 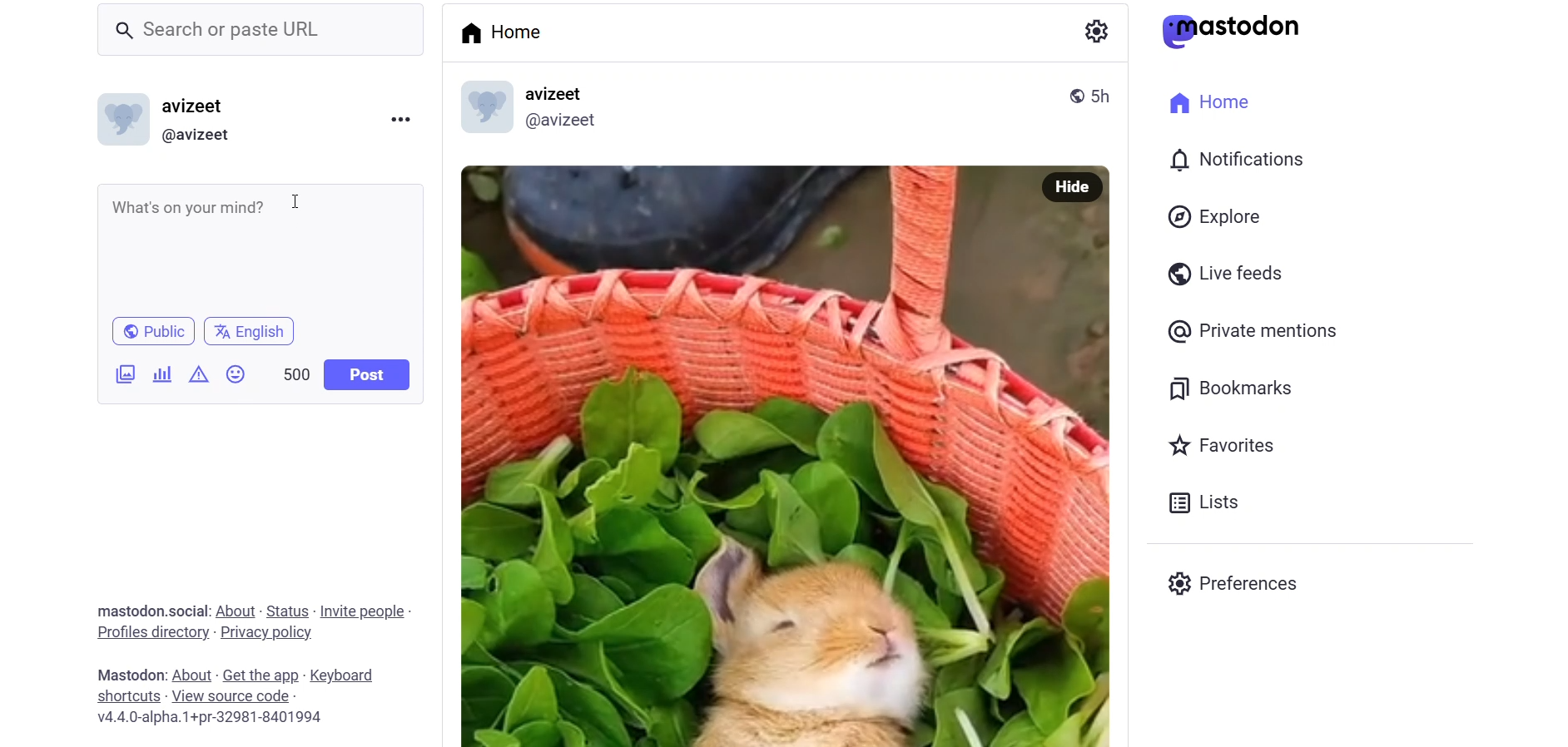 What do you see at coordinates (558, 93) in the screenshot?
I see `name` at bounding box center [558, 93].